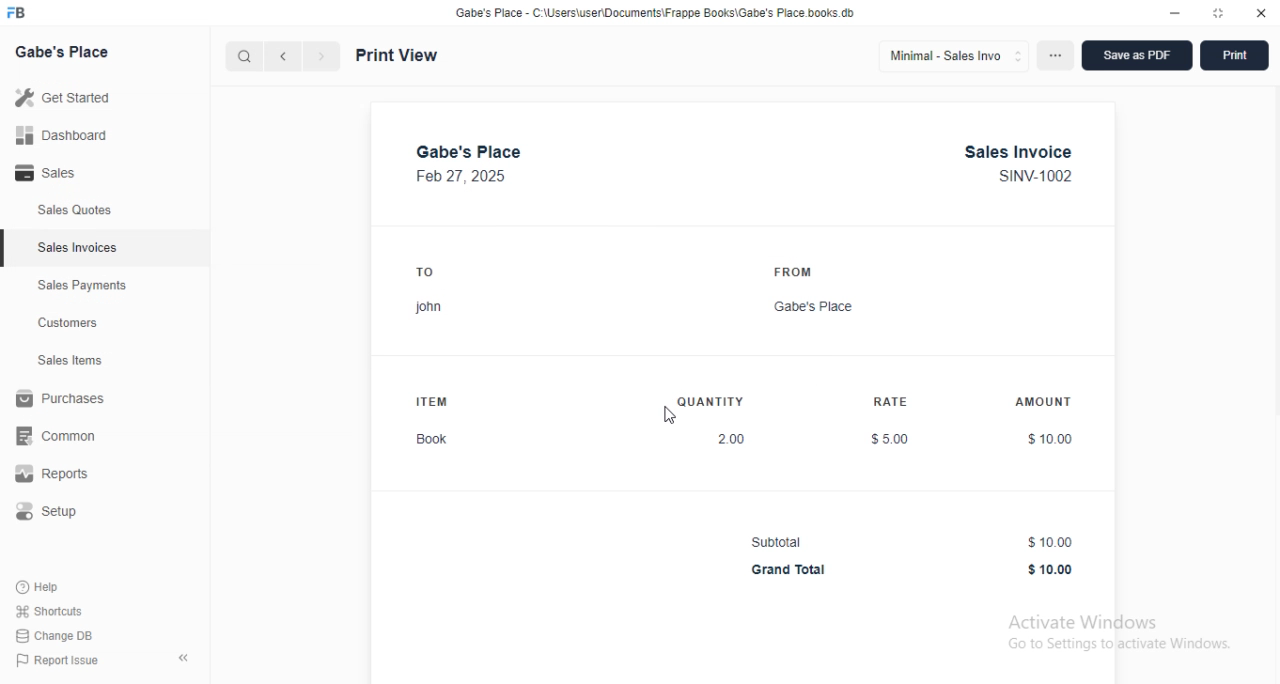 The height and width of the screenshot is (684, 1280). What do you see at coordinates (50, 611) in the screenshot?
I see `shortcuts` at bounding box center [50, 611].